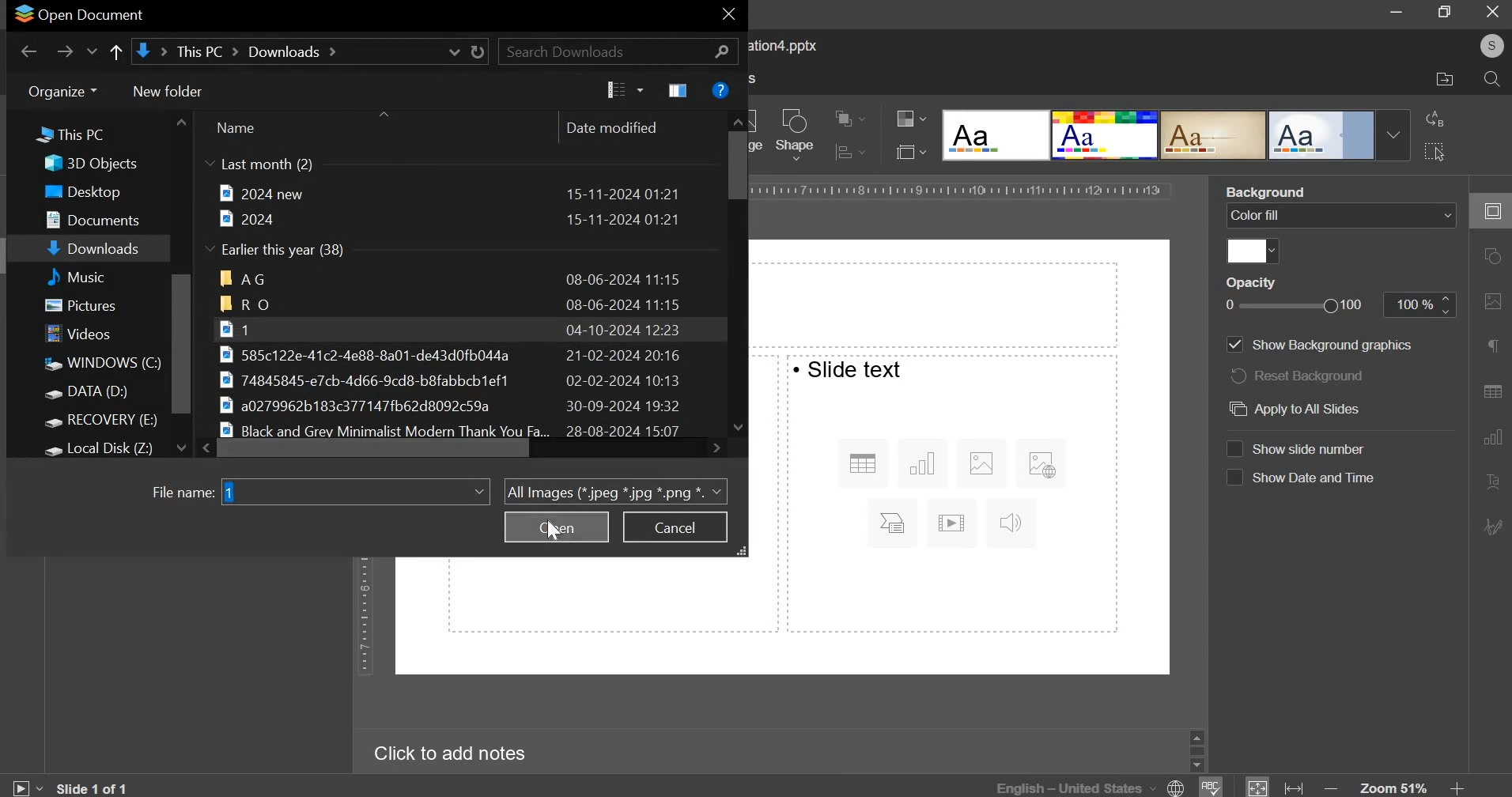 Image resolution: width=1512 pixels, height=797 pixels. What do you see at coordinates (1233, 448) in the screenshot?
I see `check box` at bounding box center [1233, 448].